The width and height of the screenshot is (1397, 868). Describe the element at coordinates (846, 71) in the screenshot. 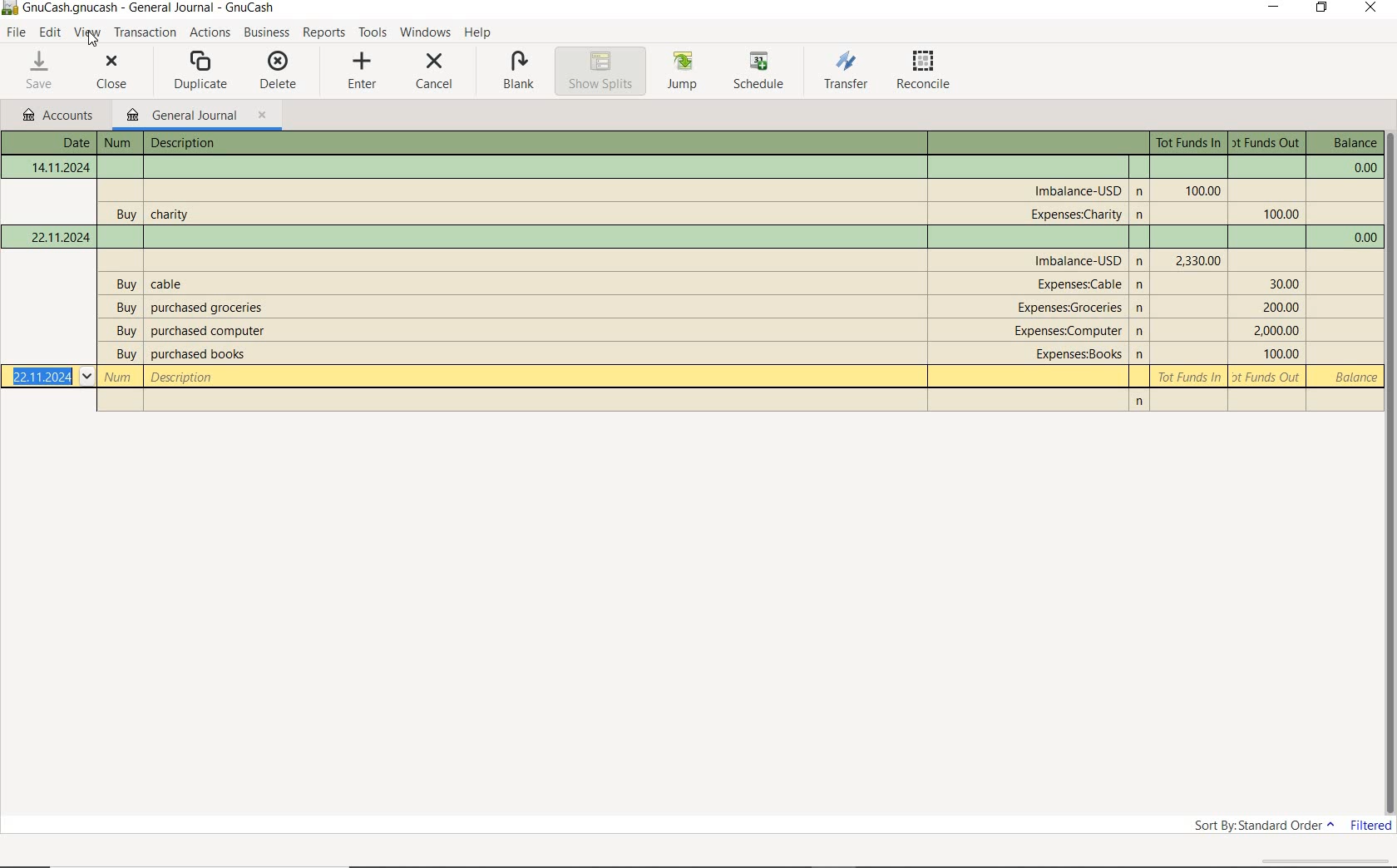

I see `TRANSFER` at that location.